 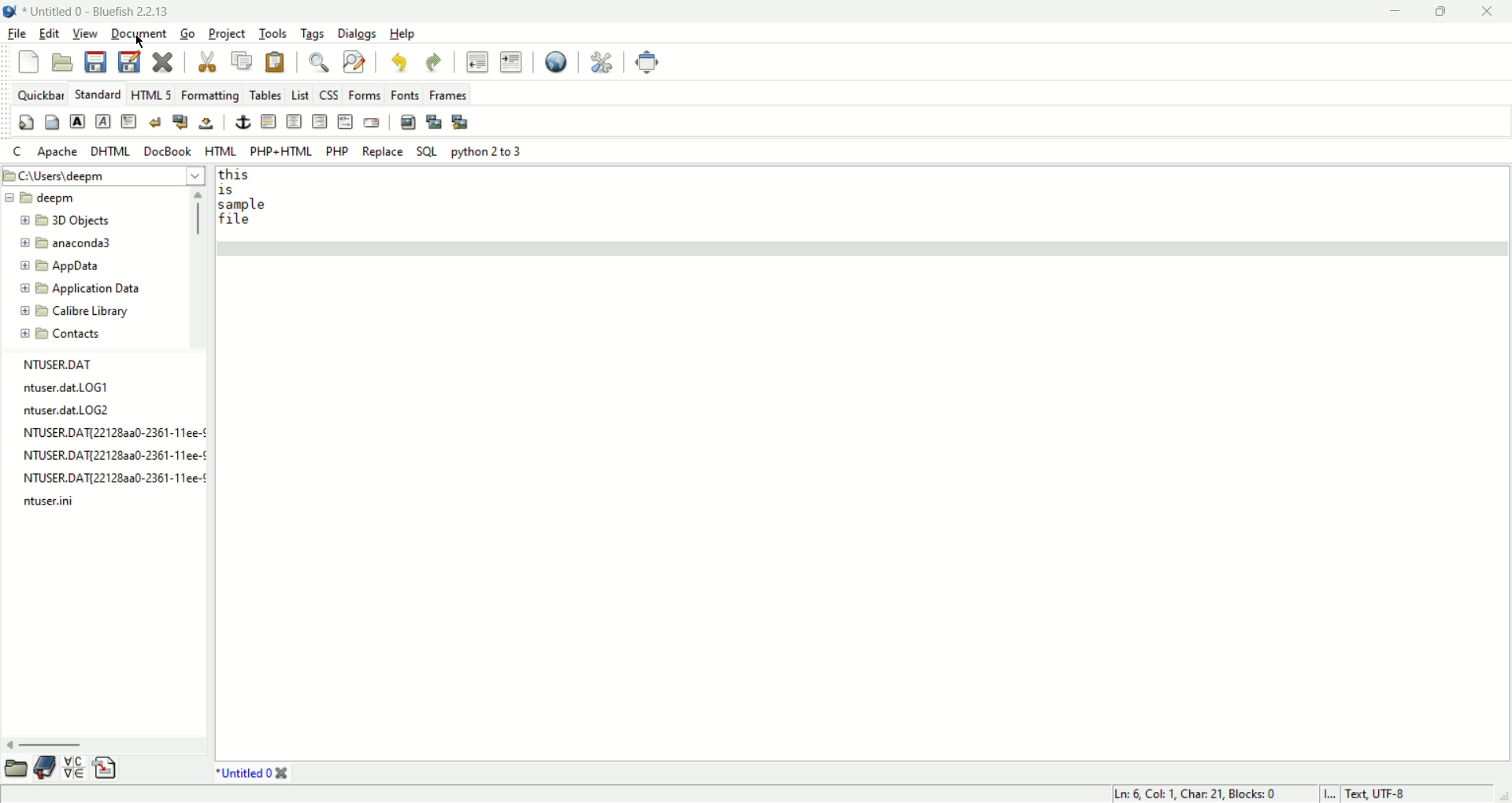 What do you see at coordinates (513, 61) in the screenshot?
I see `indent` at bounding box center [513, 61].